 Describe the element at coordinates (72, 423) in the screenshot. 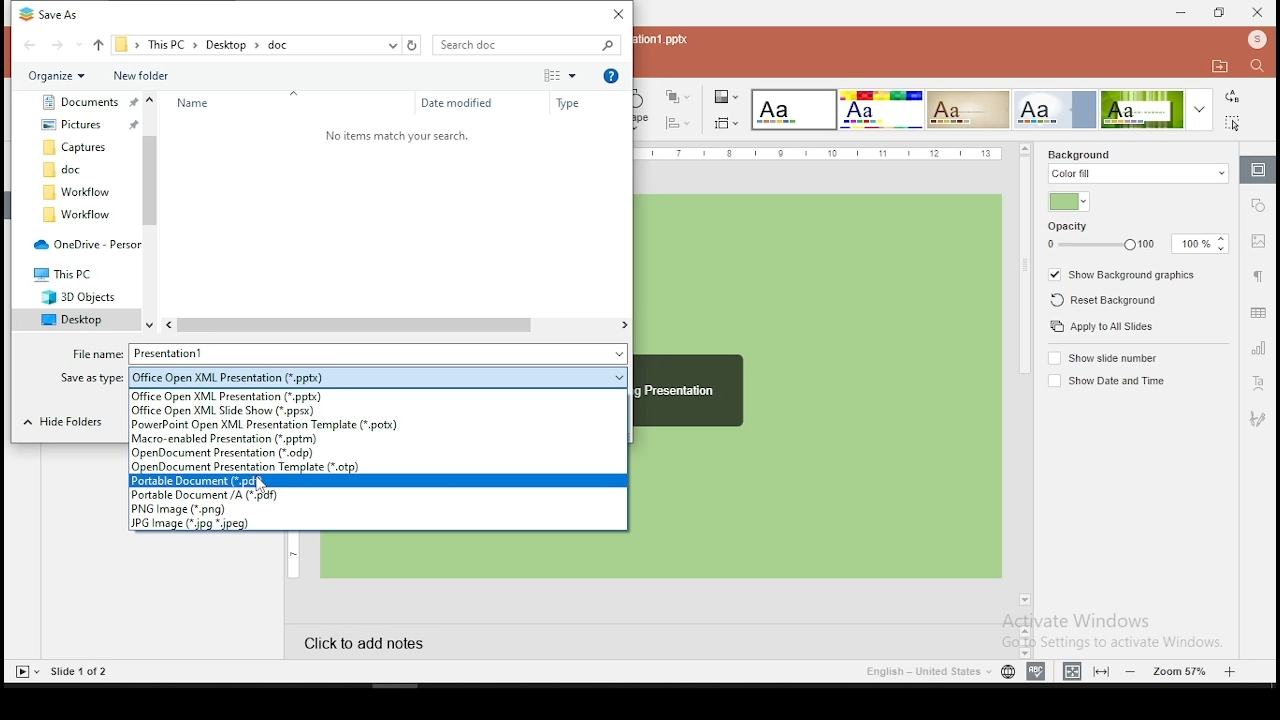

I see `Hide Folders` at that location.